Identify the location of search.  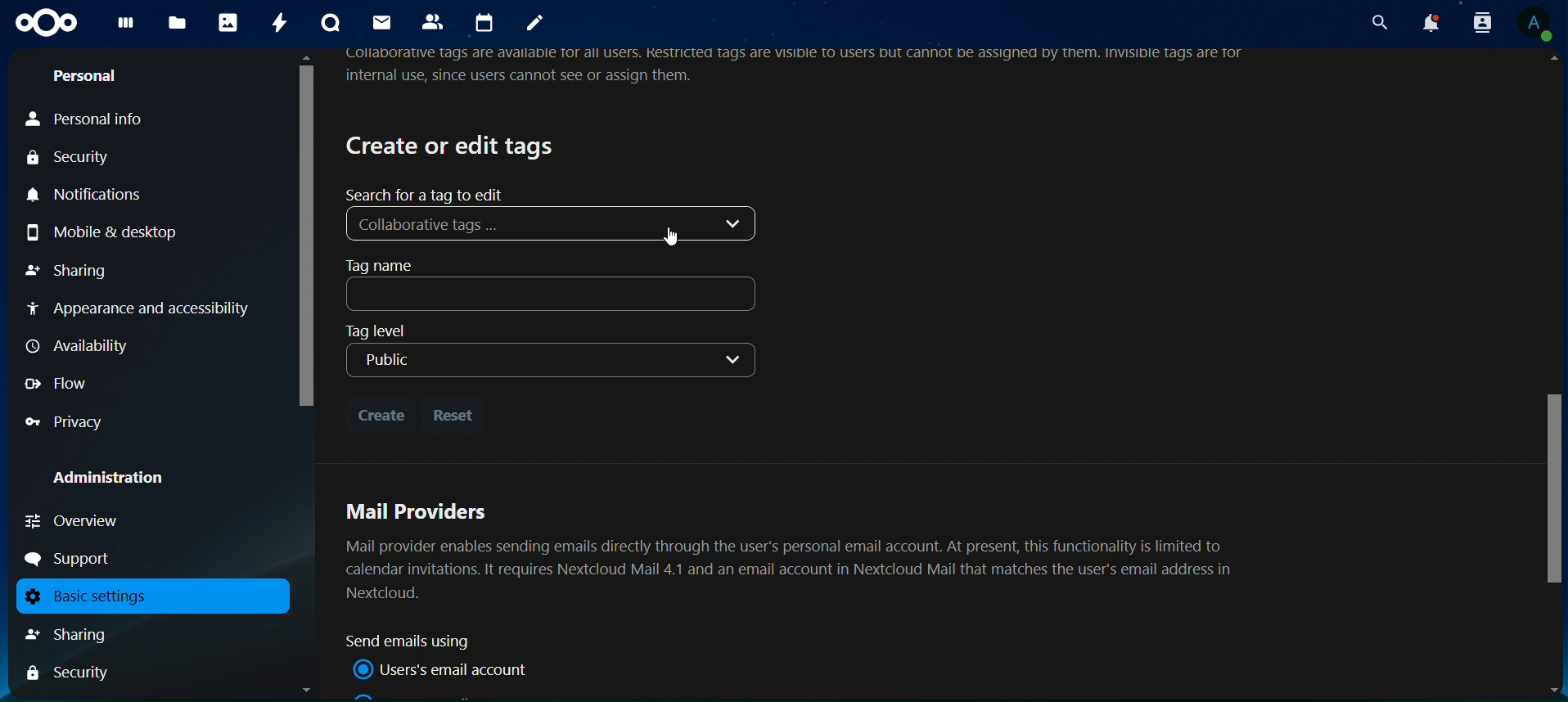
(1377, 22).